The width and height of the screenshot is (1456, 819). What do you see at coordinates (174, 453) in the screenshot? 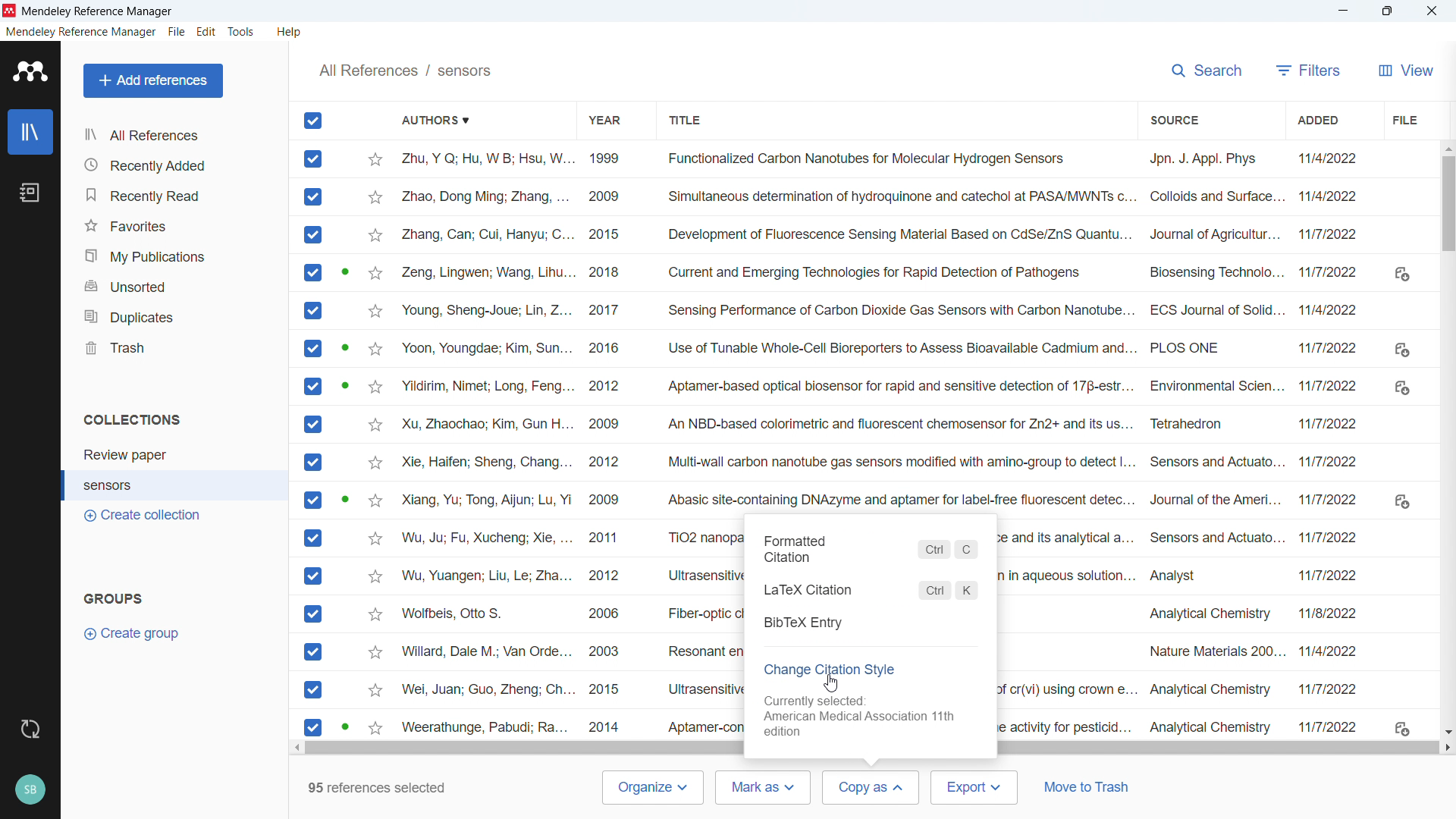
I see `collection 1` at bounding box center [174, 453].